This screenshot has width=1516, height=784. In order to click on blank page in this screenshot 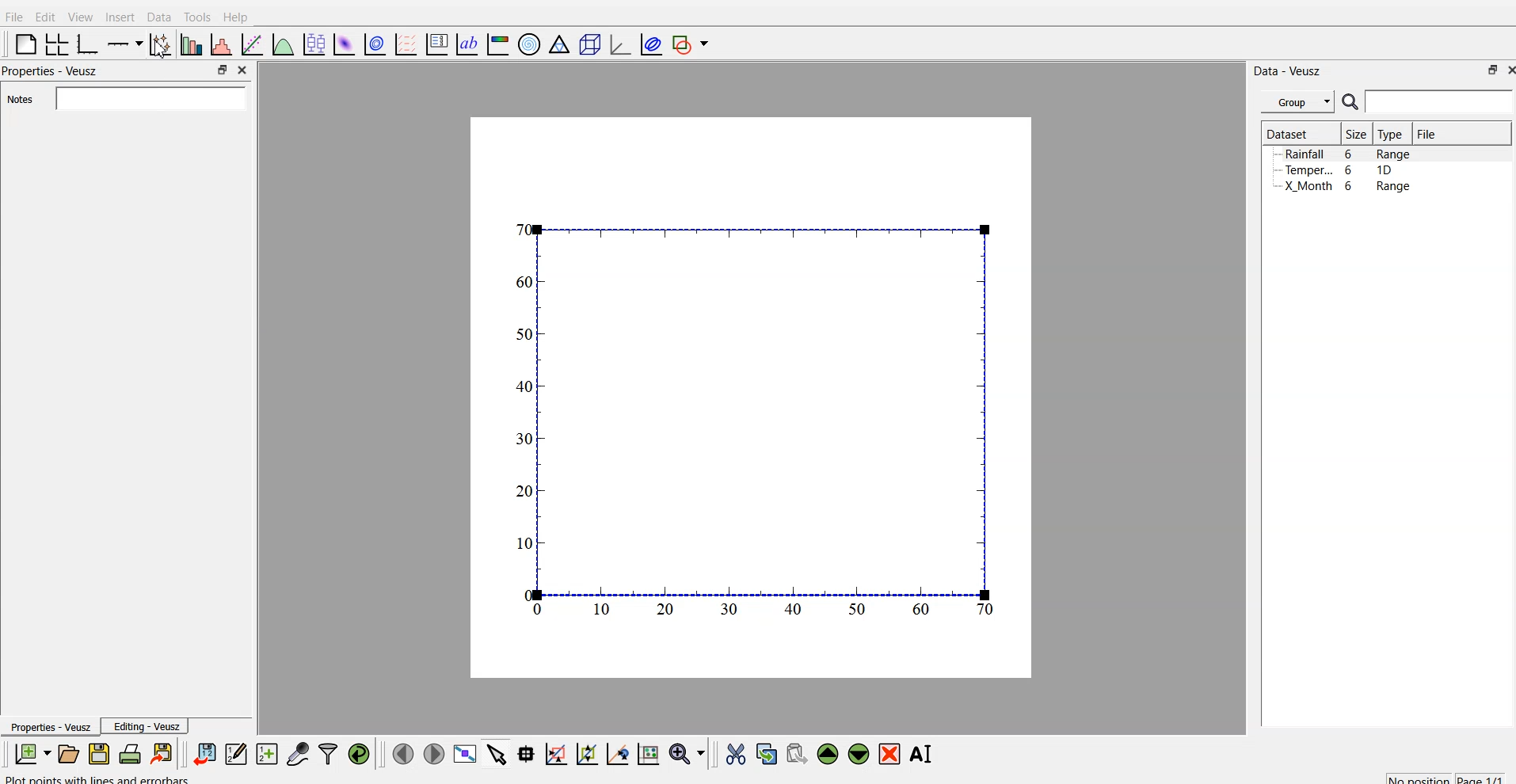, I will do `click(22, 47)`.